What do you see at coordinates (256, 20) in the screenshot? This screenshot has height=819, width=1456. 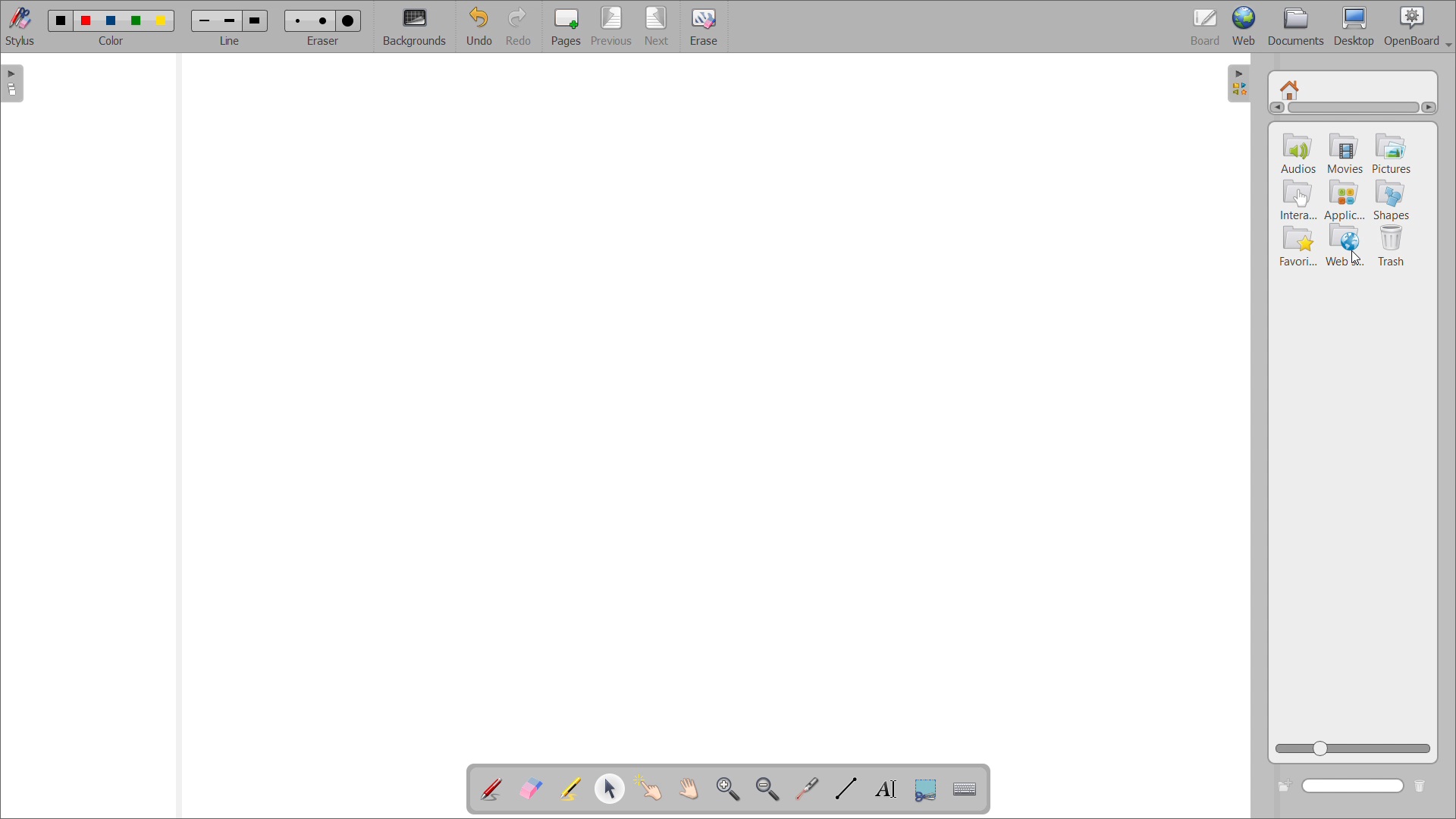 I see `Large line` at bounding box center [256, 20].